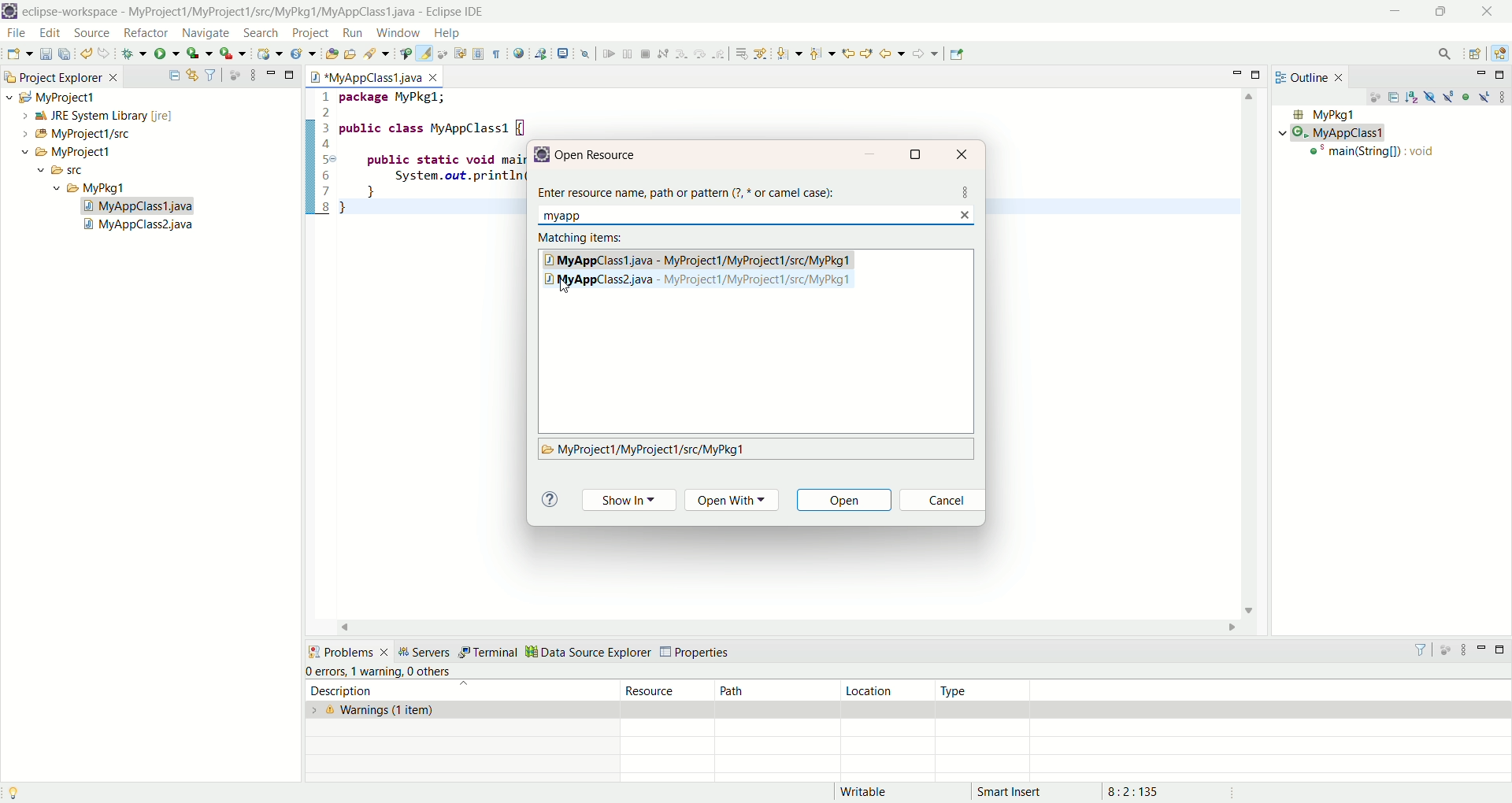 The image size is (1512, 803). I want to click on new, so click(19, 54).